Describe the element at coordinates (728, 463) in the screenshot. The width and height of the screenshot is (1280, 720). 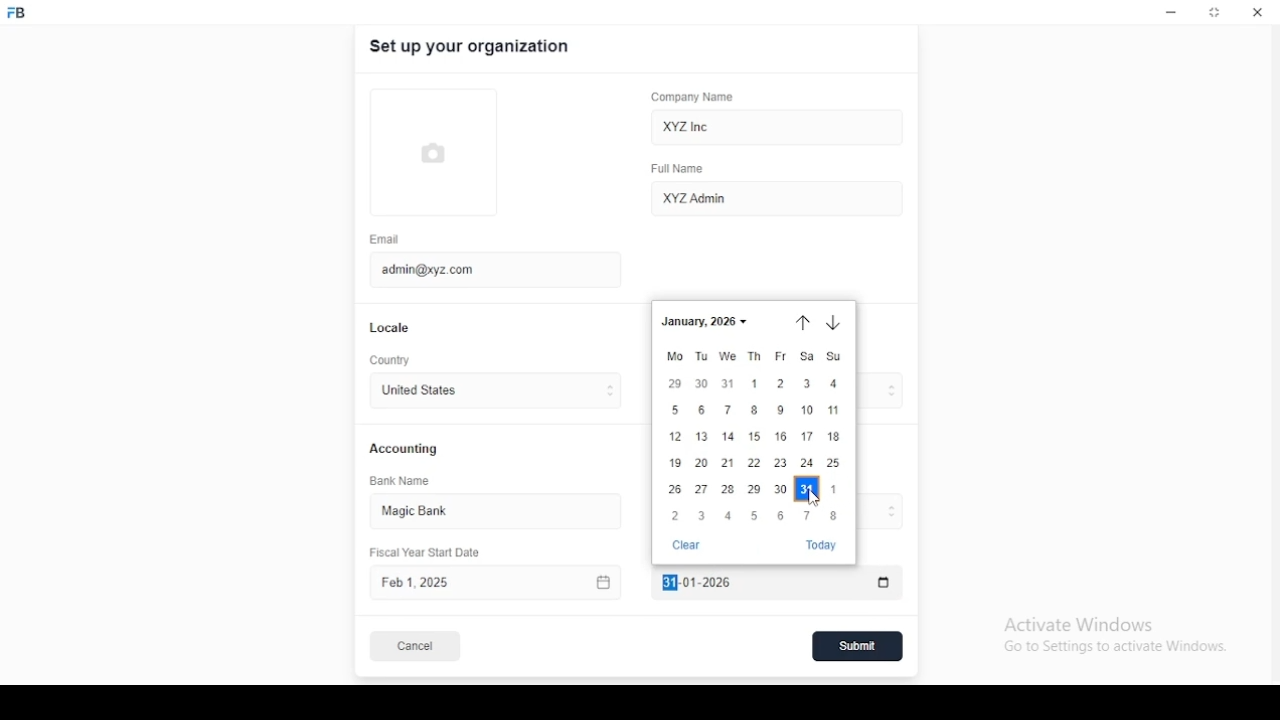
I see `21` at that location.